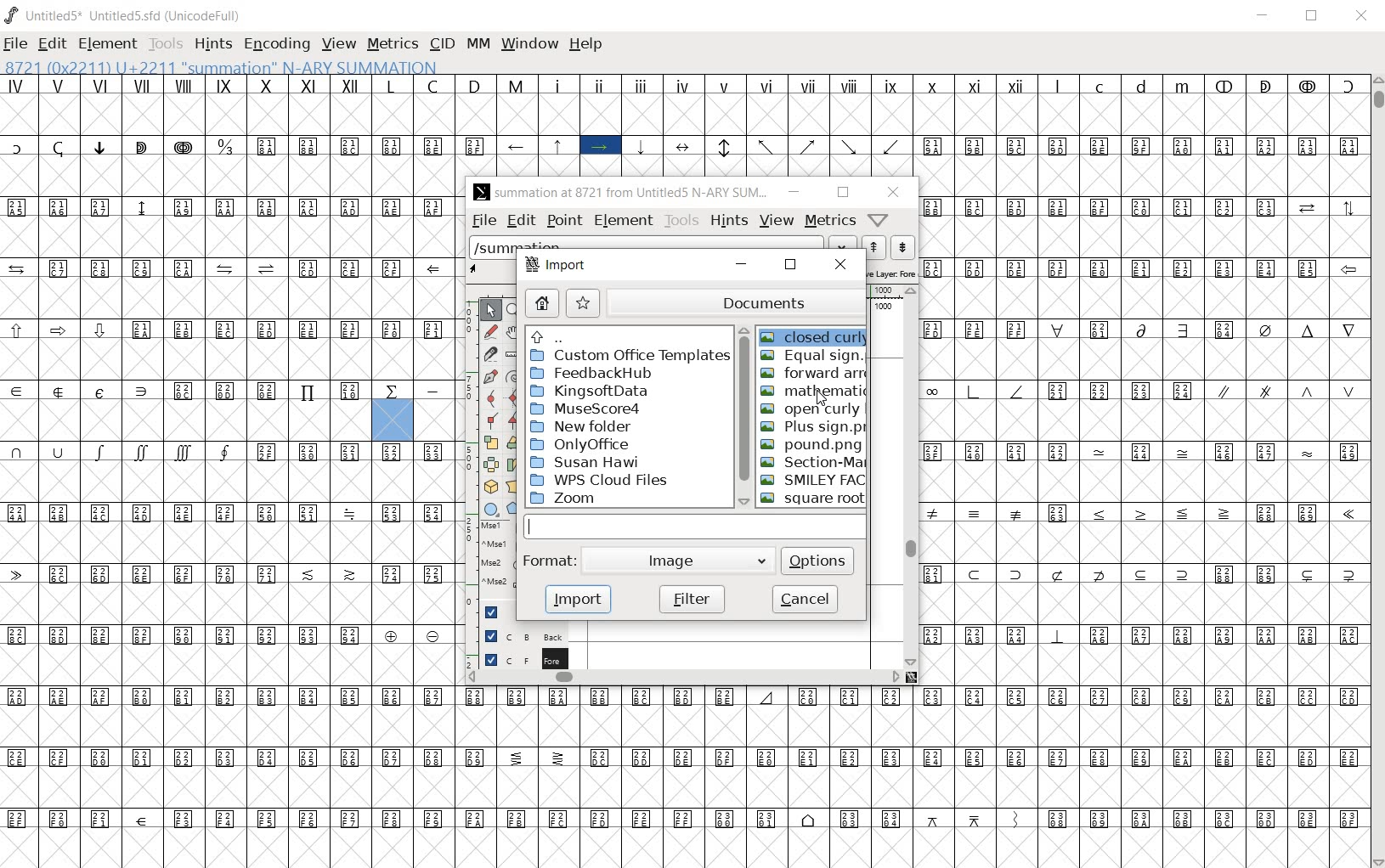 This screenshot has height=868, width=1385. Describe the element at coordinates (550, 559) in the screenshot. I see `format` at that location.